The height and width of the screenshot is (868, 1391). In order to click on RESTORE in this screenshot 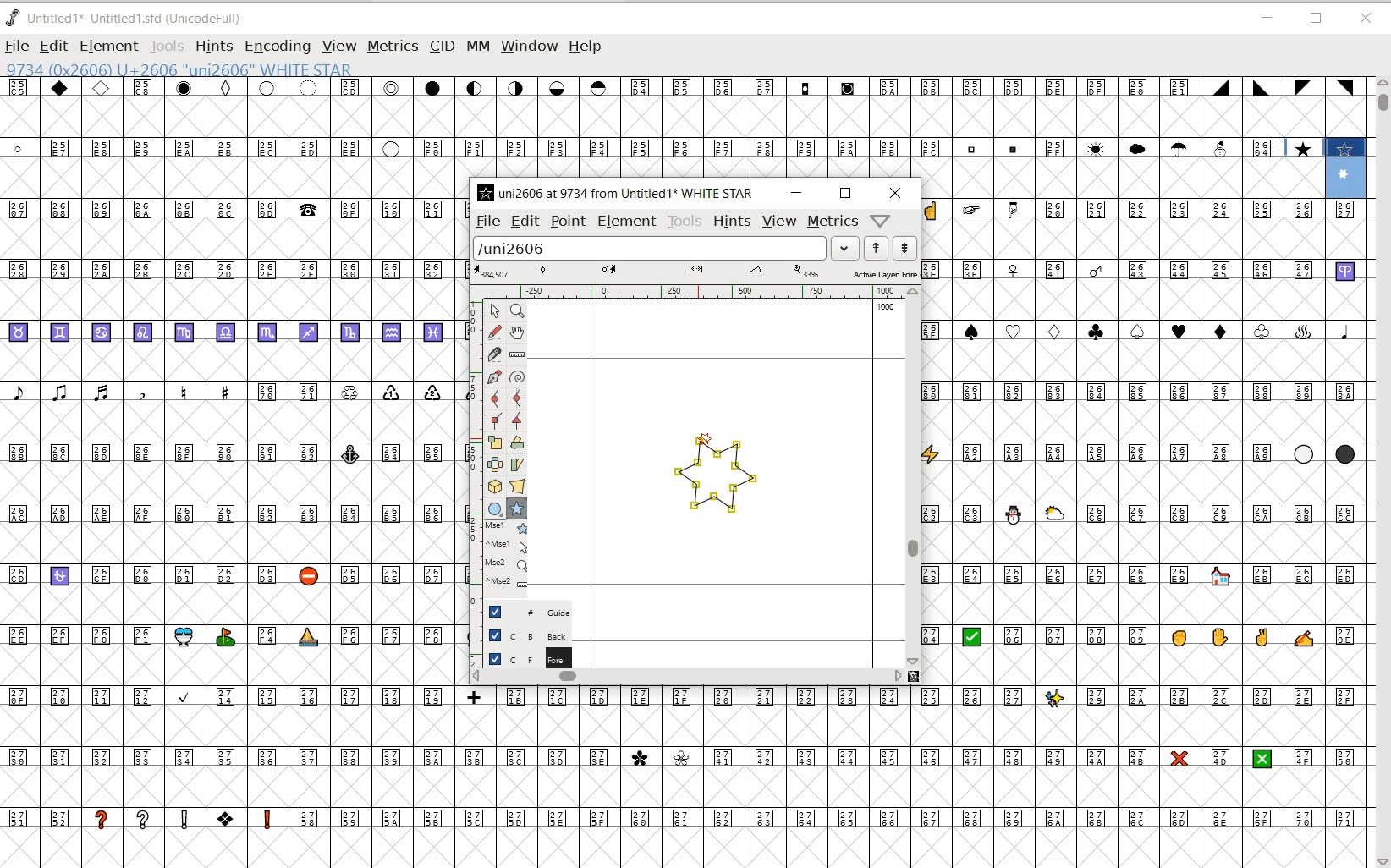, I will do `click(1318, 19)`.